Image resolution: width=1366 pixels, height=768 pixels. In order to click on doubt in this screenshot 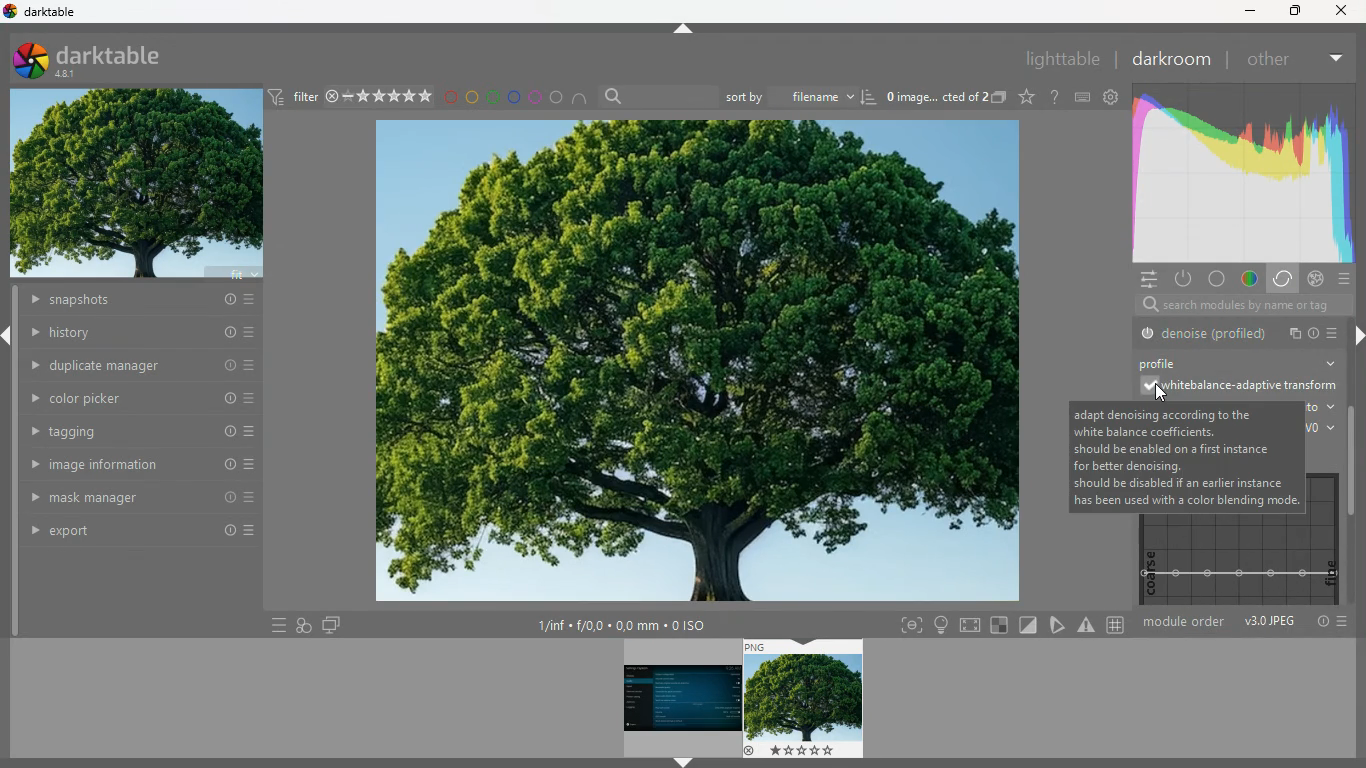, I will do `click(1052, 96)`.